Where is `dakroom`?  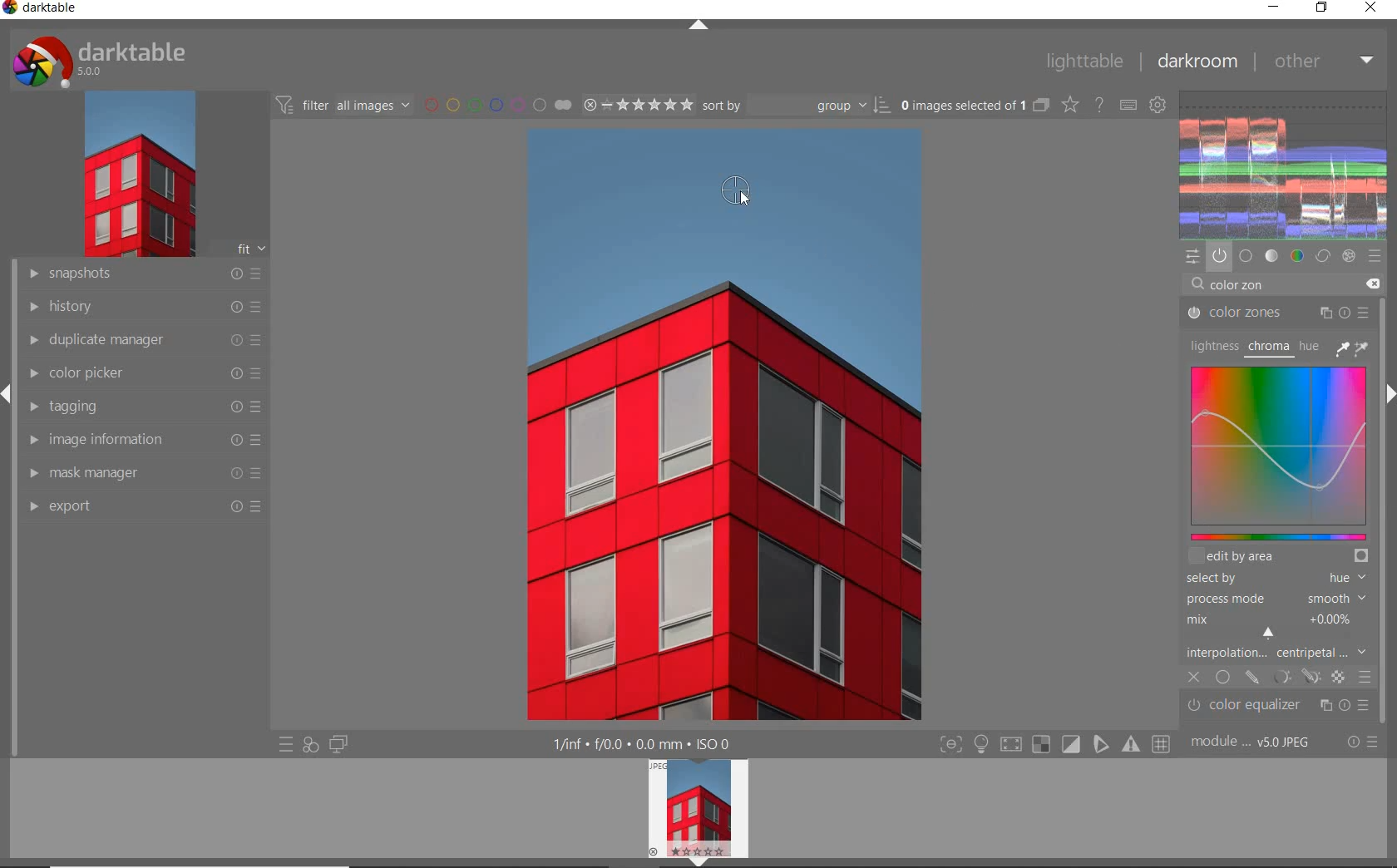 dakroom is located at coordinates (1196, 61).